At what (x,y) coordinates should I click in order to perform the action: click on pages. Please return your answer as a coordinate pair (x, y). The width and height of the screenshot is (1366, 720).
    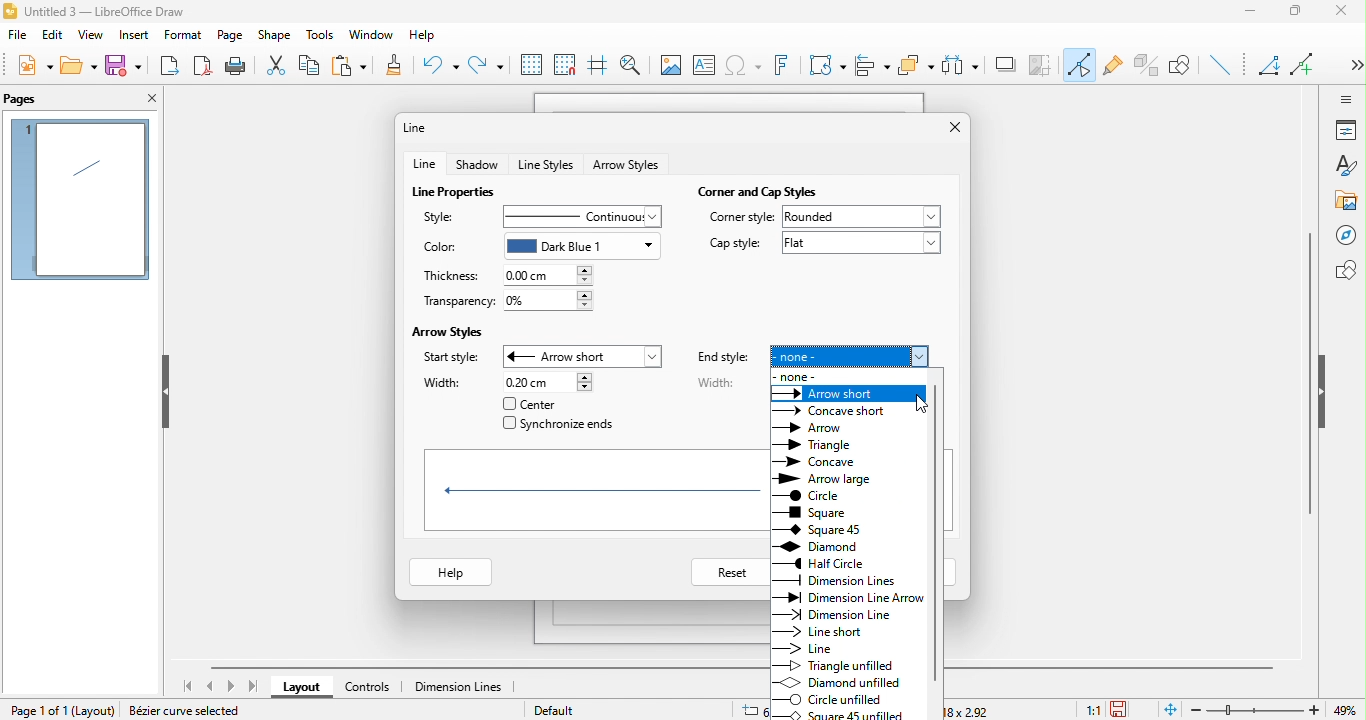
    Looking at the image, I should click on (36, 98).